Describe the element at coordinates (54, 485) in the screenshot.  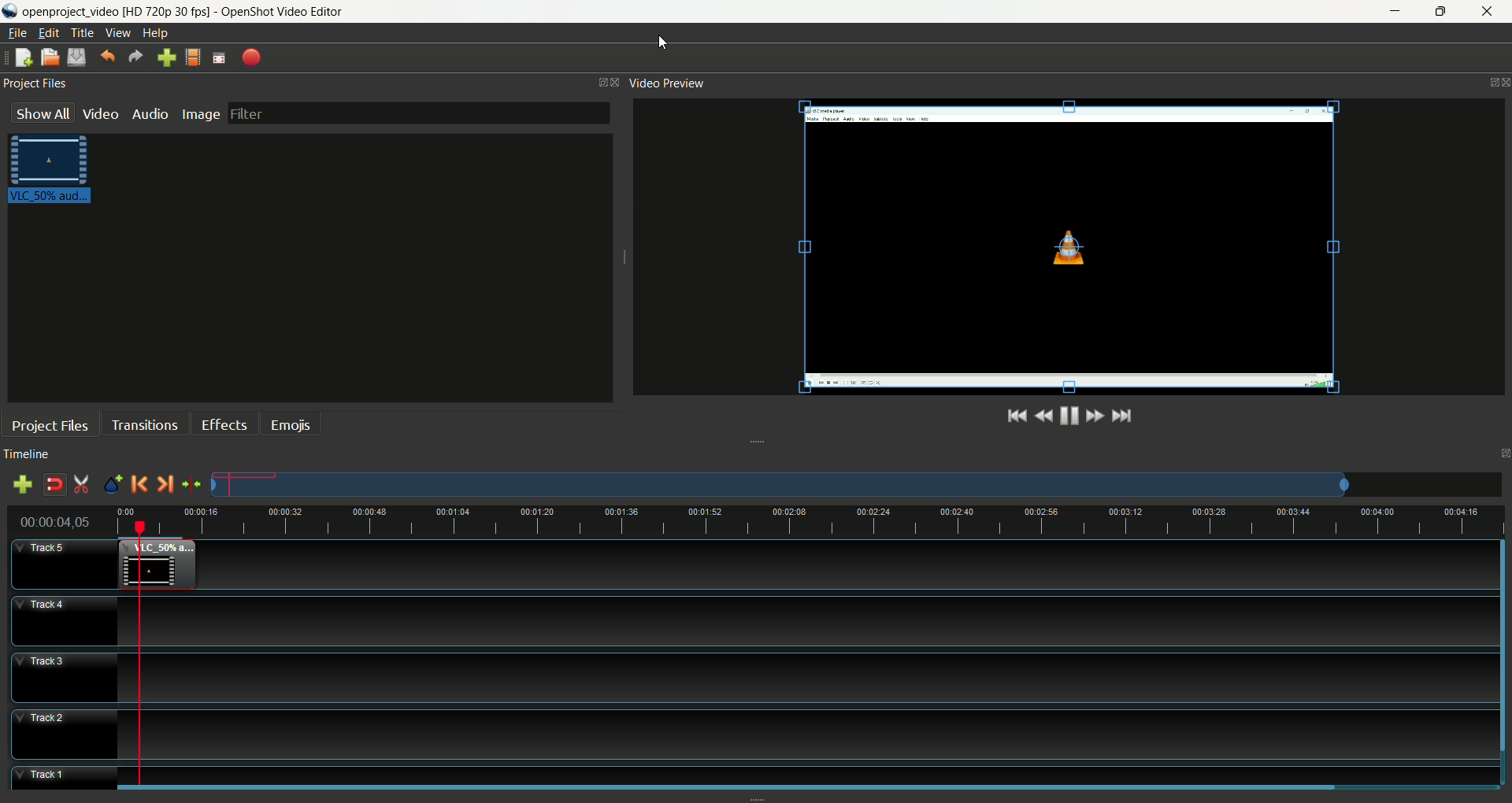
I see `disable snapping` at that location.